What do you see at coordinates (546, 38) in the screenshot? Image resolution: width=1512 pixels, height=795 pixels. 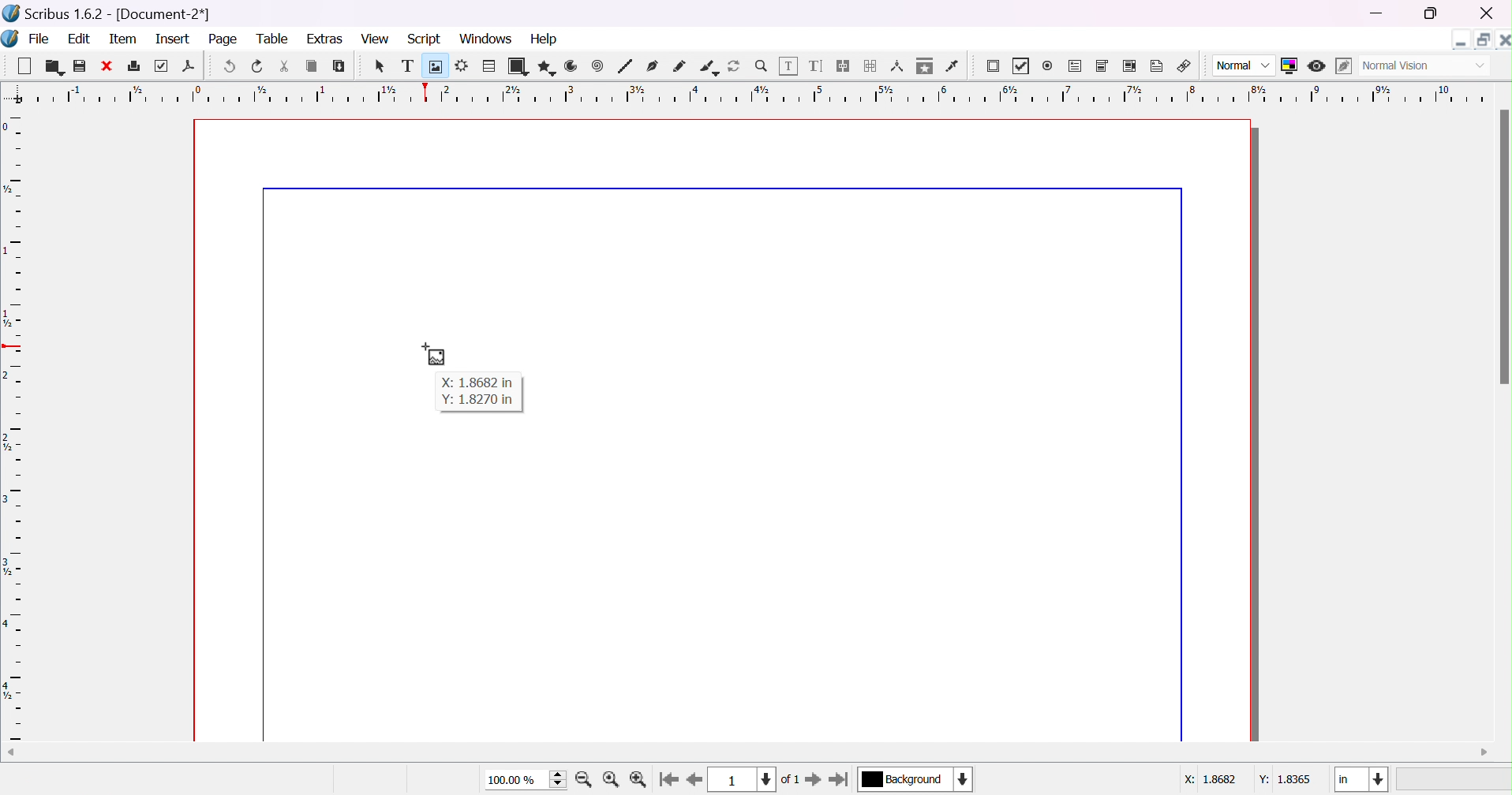 I see `help` at bounding box center [546, 38].